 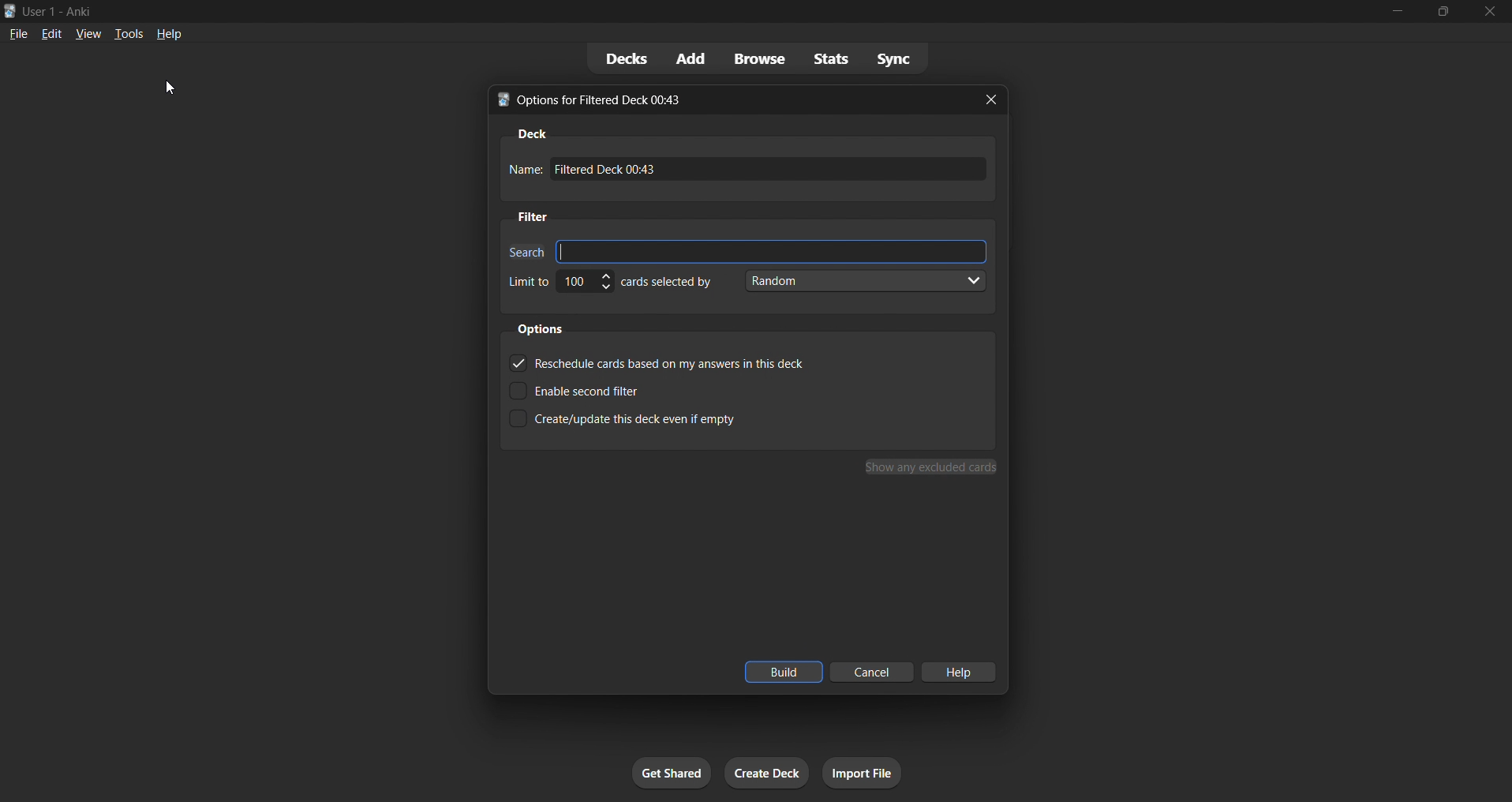 What do you see at coordinates (867, 673) in the screenshot?
I see `cancel` at bounding box center [867, 673].